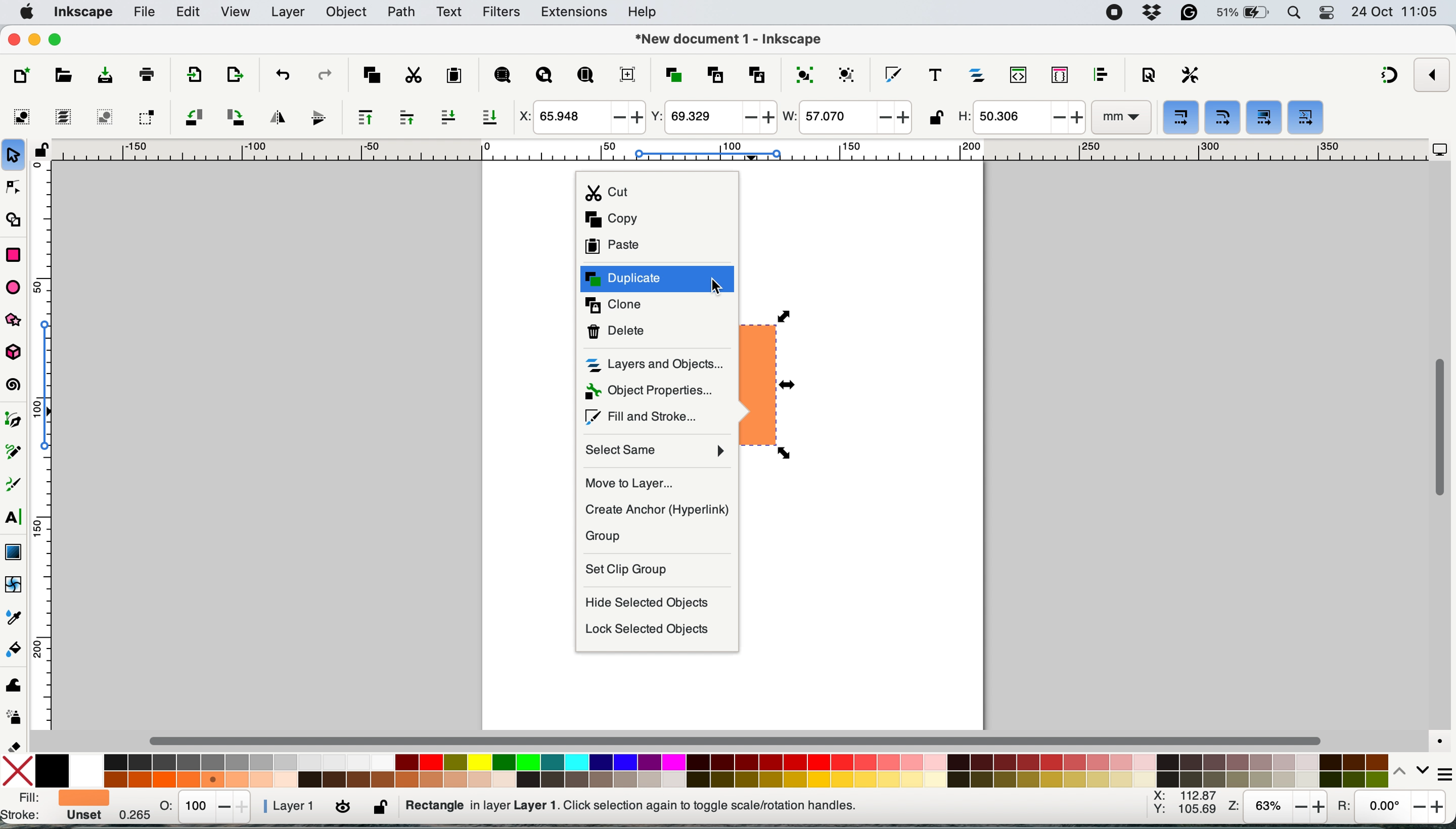 This screenshot has height=829, width=1456. What do you see at coordinates (83, 13) in the screenshot?
I see `inkscape` at bounding box center [83, 13].